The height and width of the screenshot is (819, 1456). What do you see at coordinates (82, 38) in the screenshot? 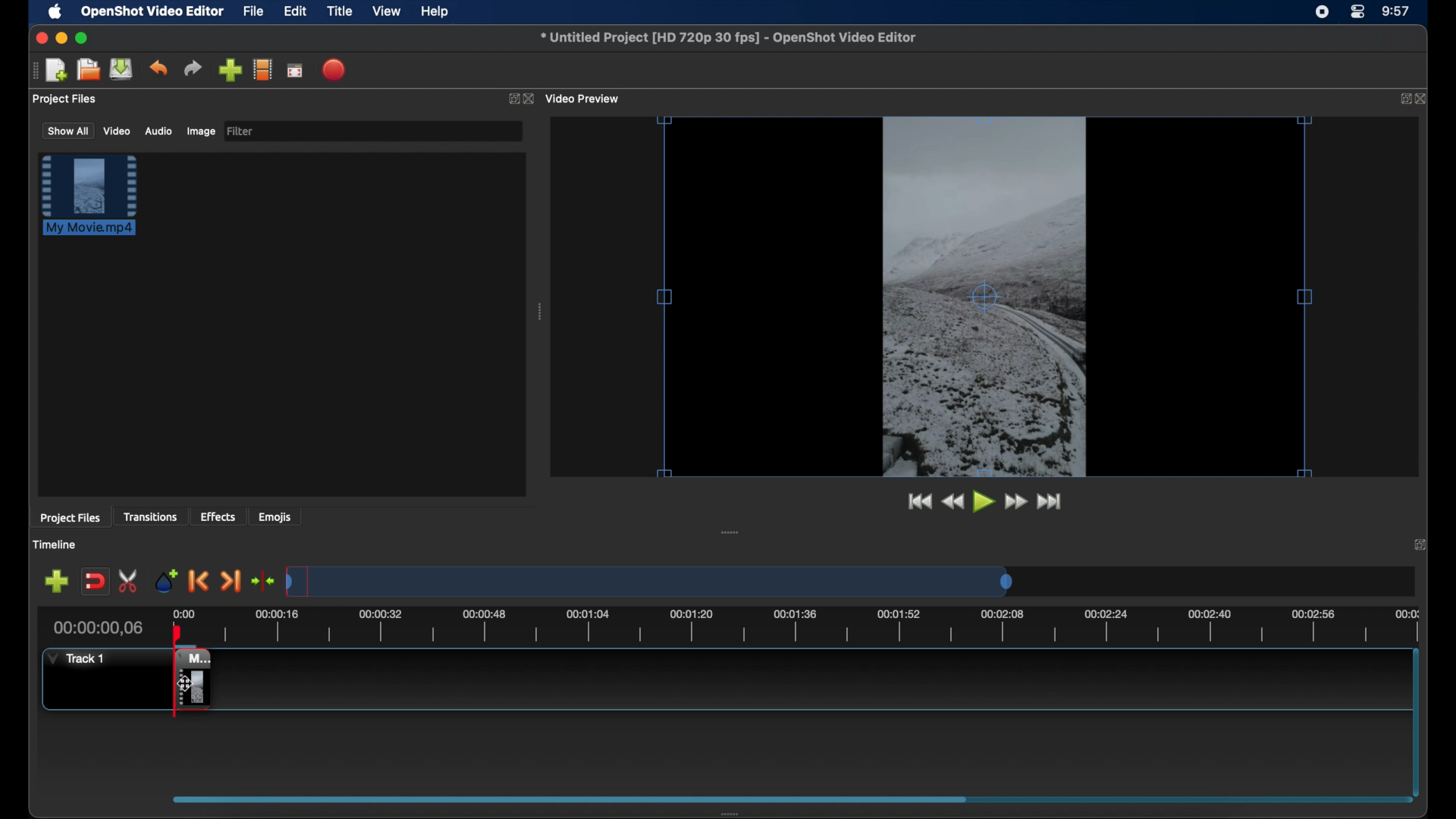
I see `maximize` at bounding box center [82, 38].